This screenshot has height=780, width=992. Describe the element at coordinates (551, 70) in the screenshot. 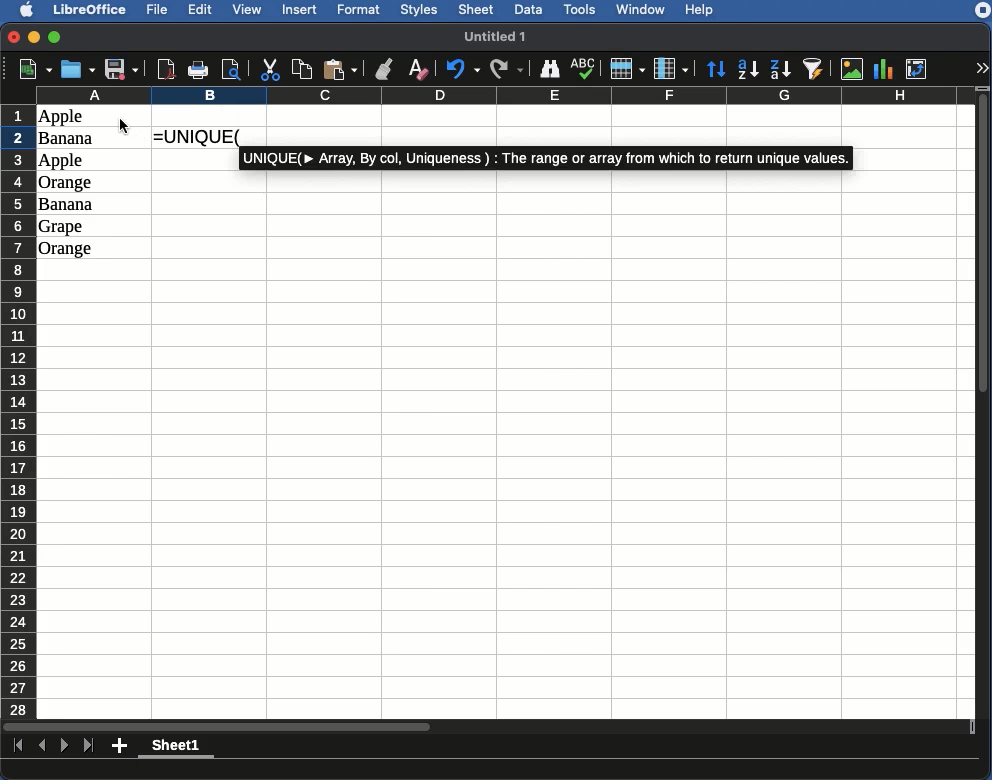

I see `Finder` at that location.